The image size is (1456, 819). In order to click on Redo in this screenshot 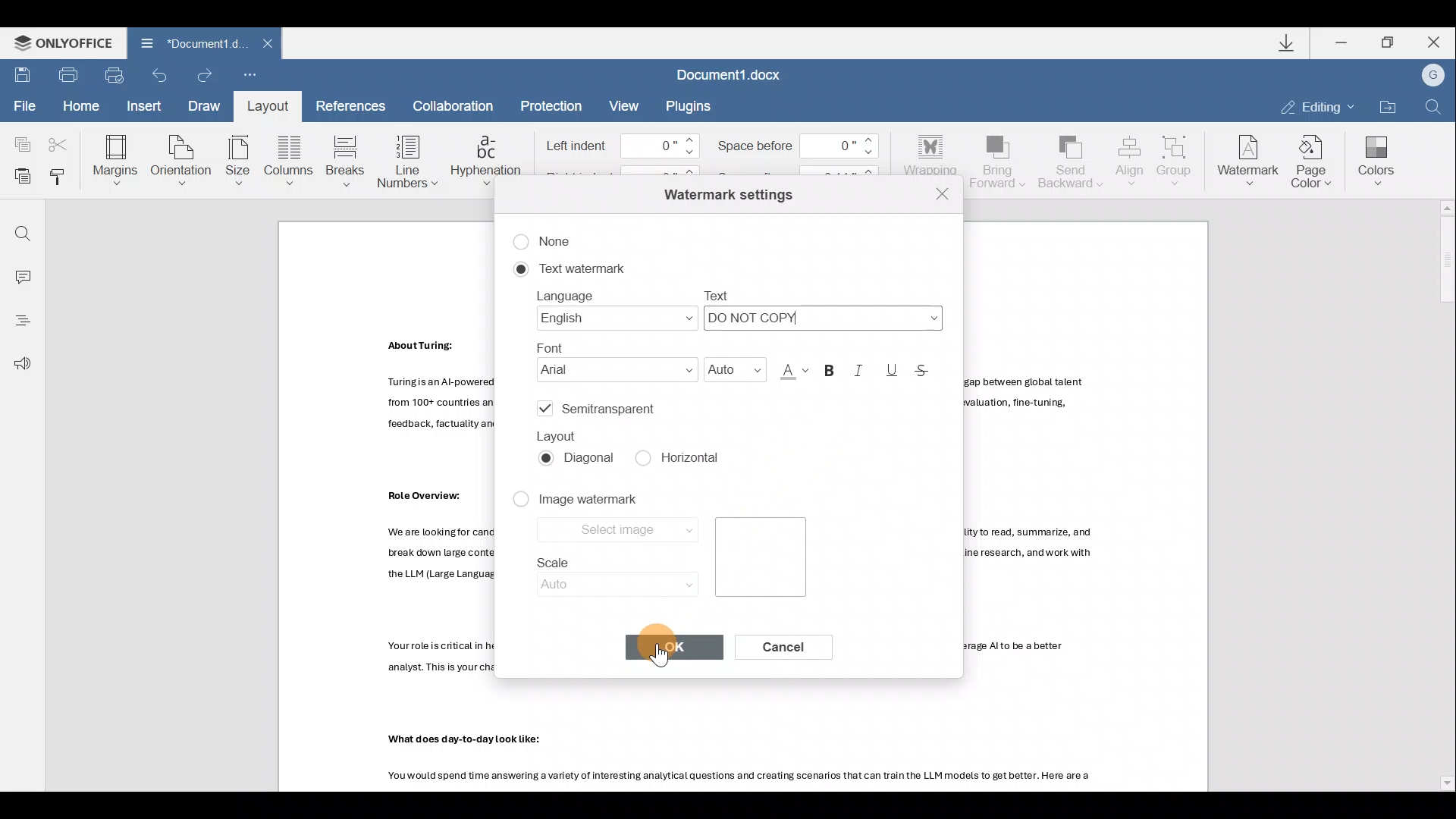, I will do `click(202, 74)`.